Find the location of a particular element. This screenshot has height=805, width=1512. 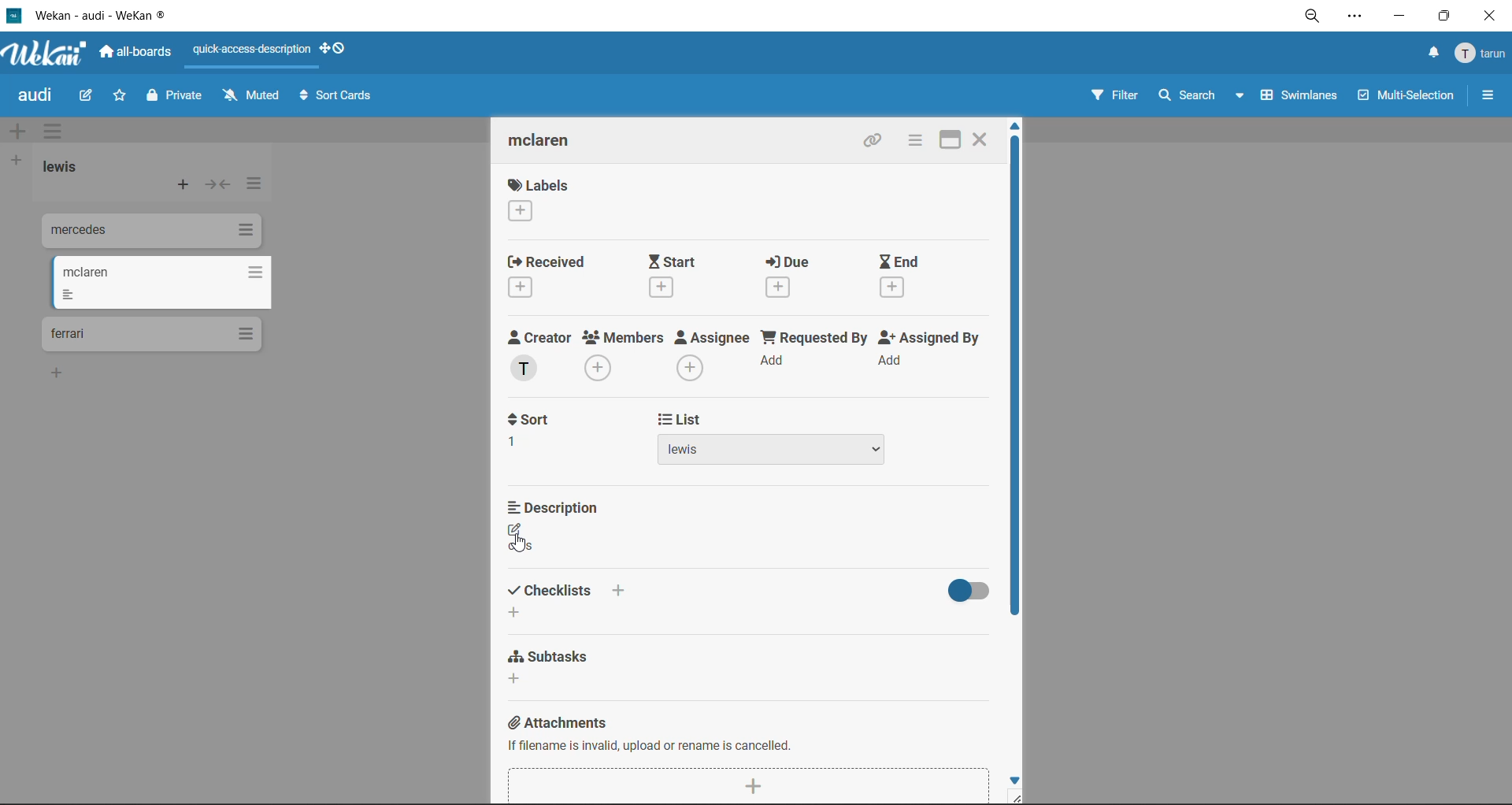

vertical scroll bar is located at coordinates (1015, 378).